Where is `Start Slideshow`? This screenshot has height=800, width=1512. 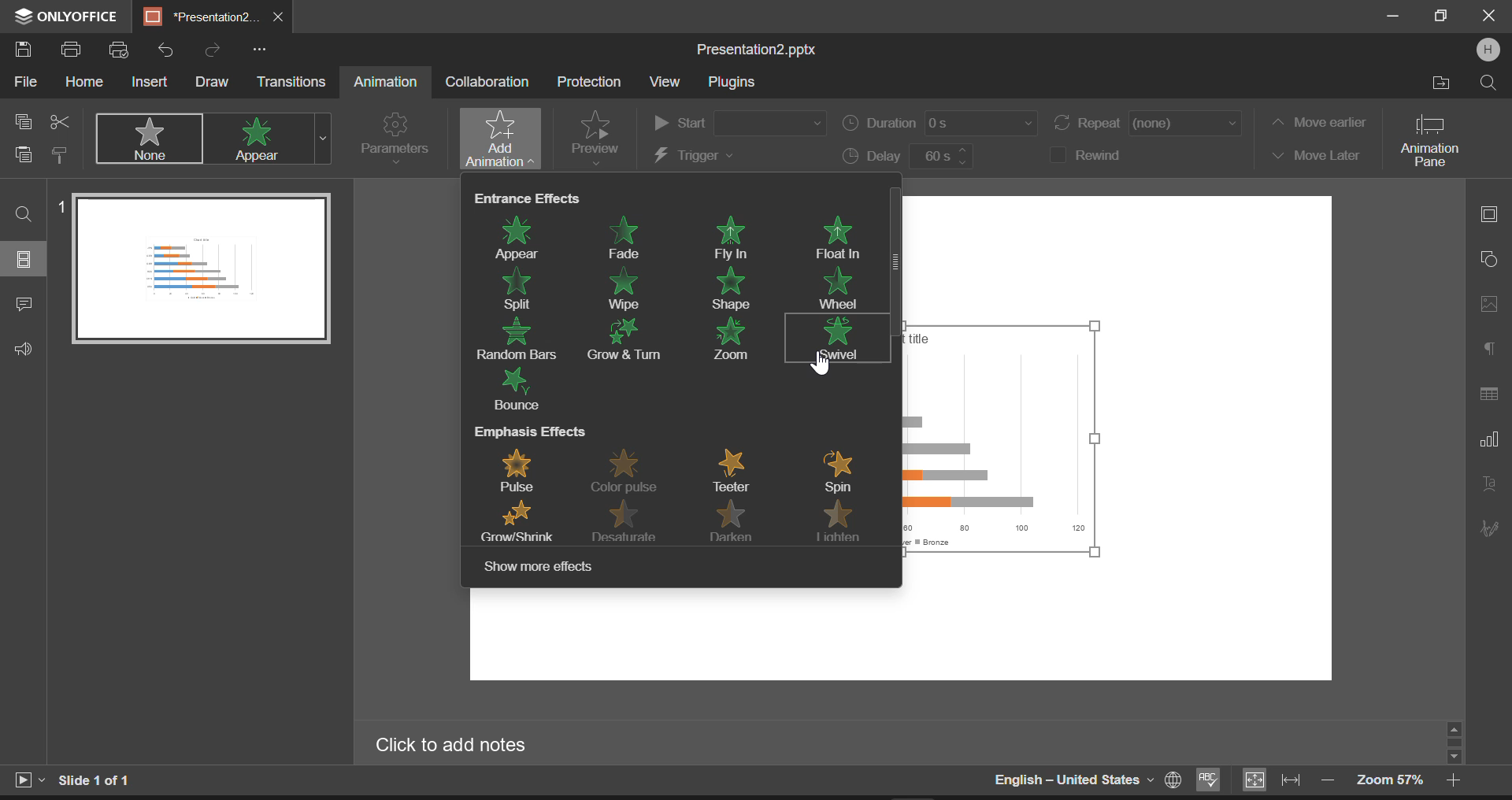 Start Slideshow is located at coordinates (28, 778).